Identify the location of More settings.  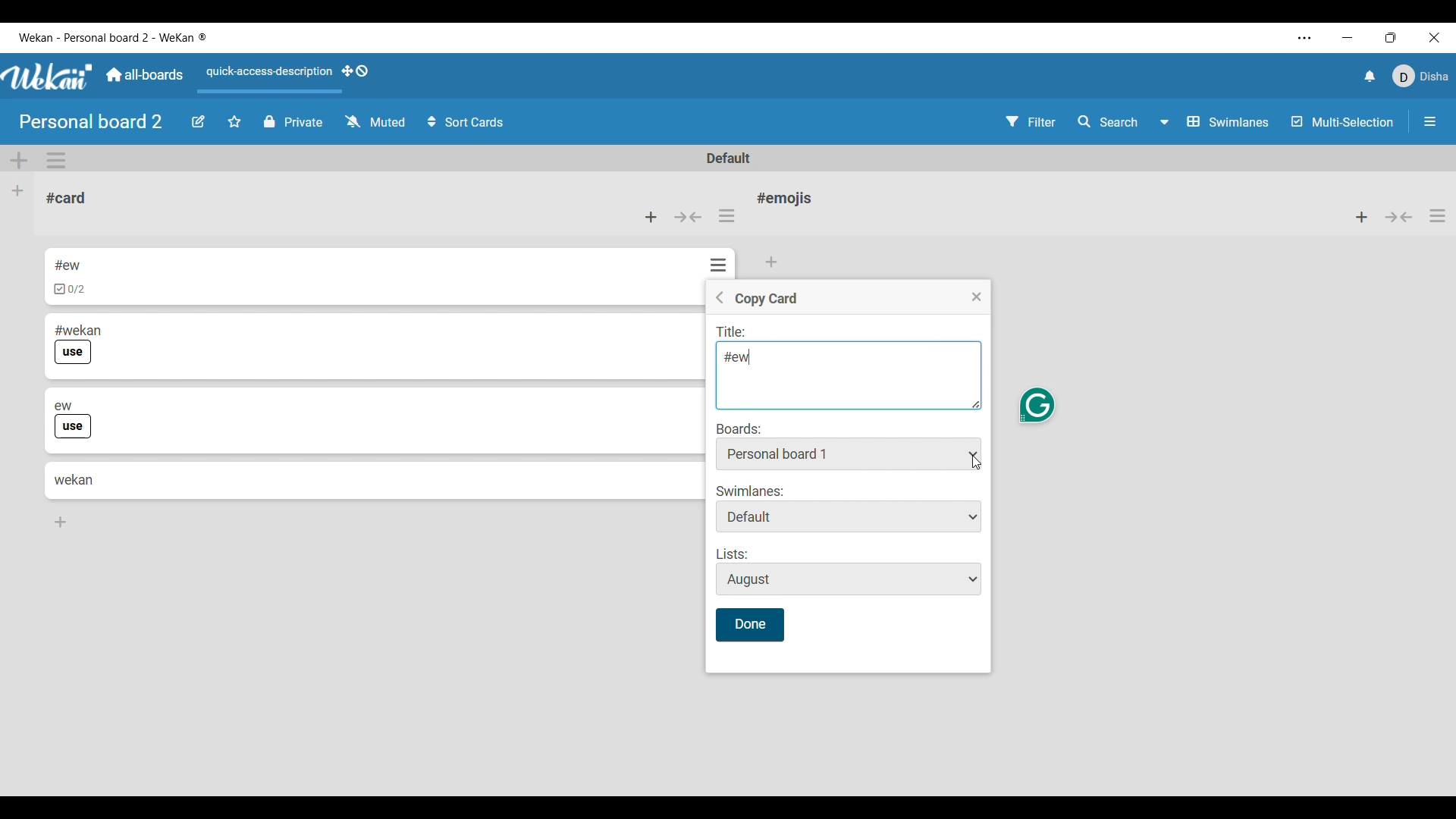
(1304, 38).